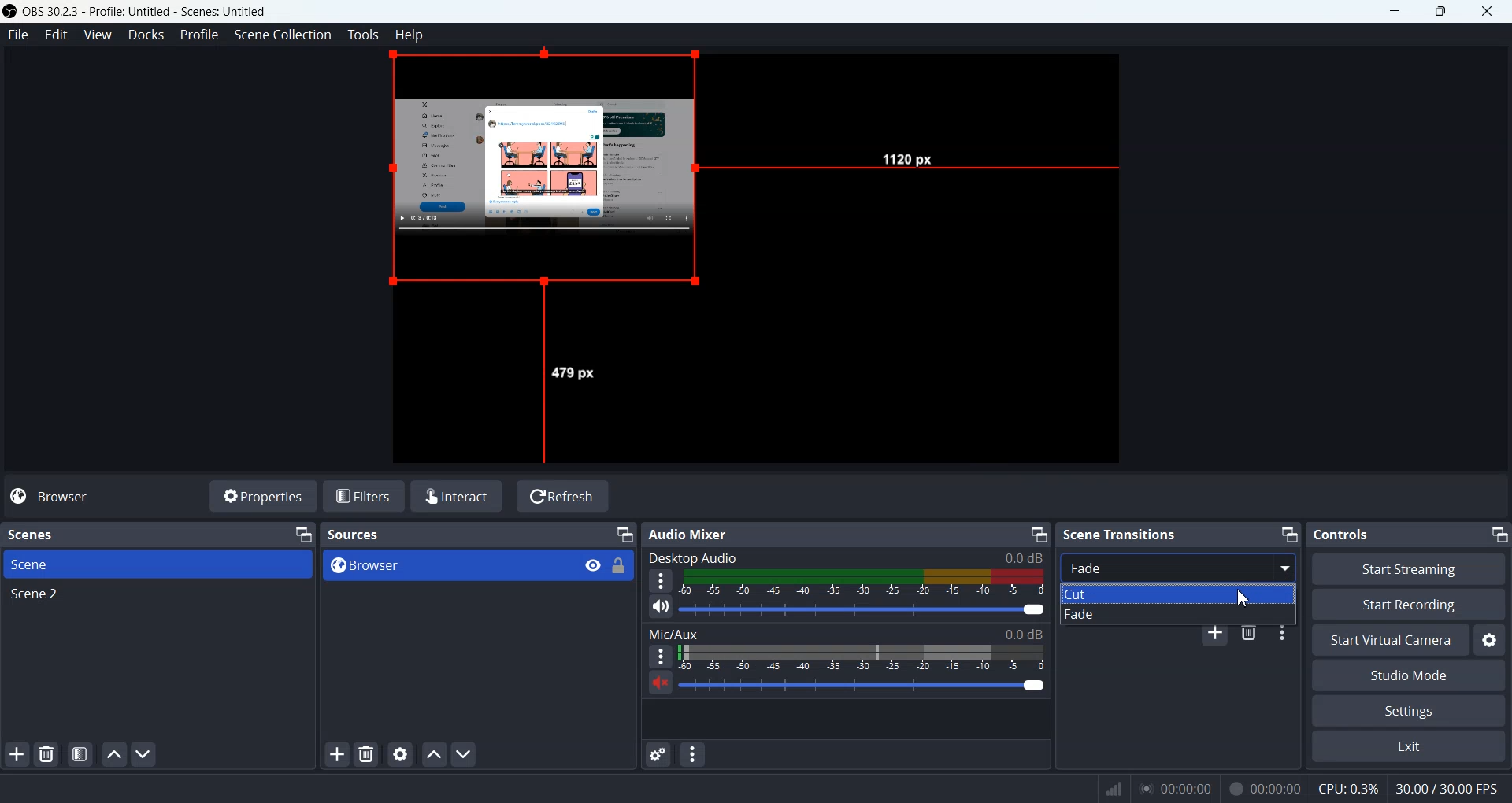  Describe the element at coordinates (1039, 534) in the screenshot. I see `Minimize` at that location.